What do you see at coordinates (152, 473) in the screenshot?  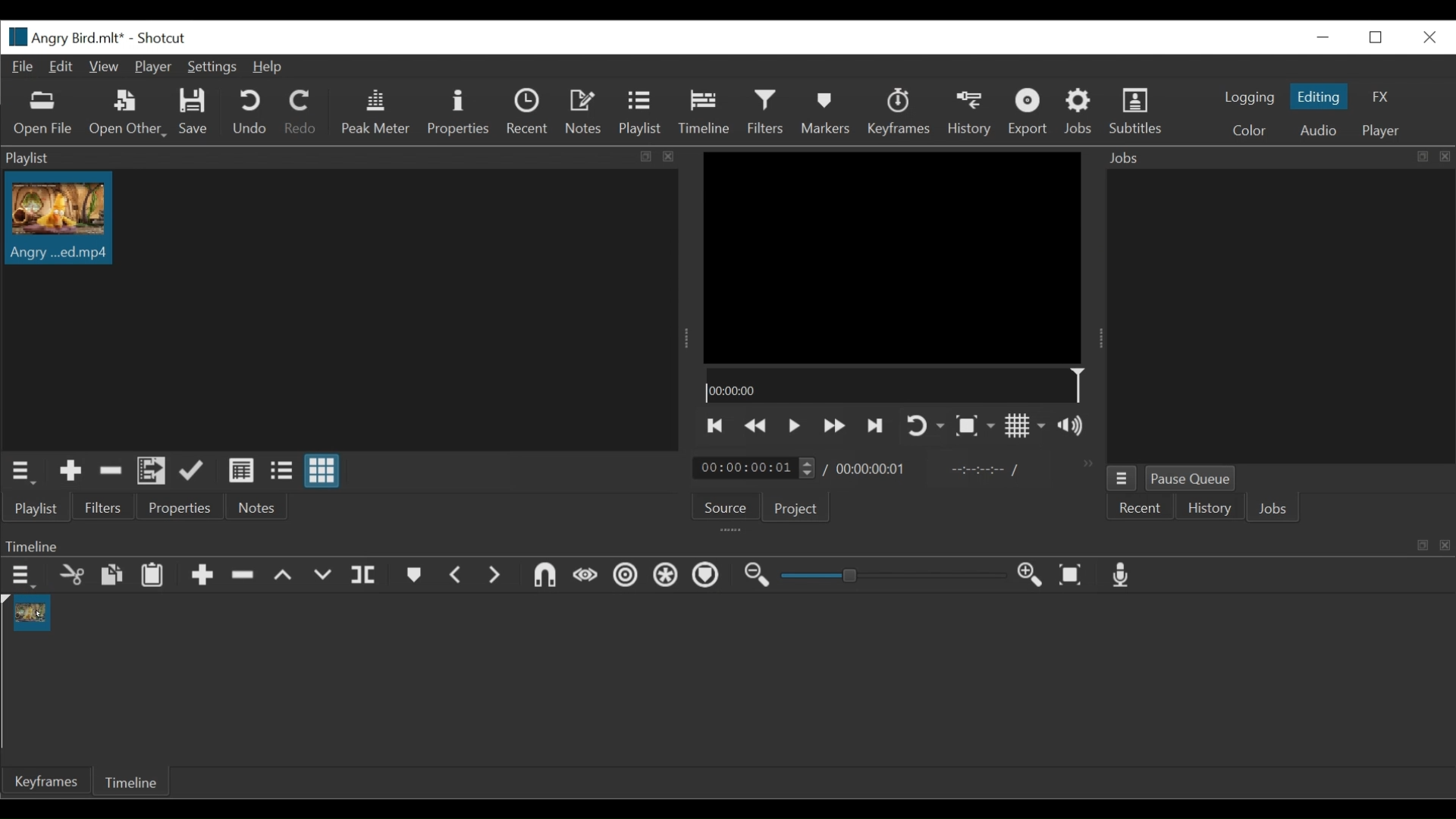 I see `Add files to the playlist` at bounding box center [152, 473].